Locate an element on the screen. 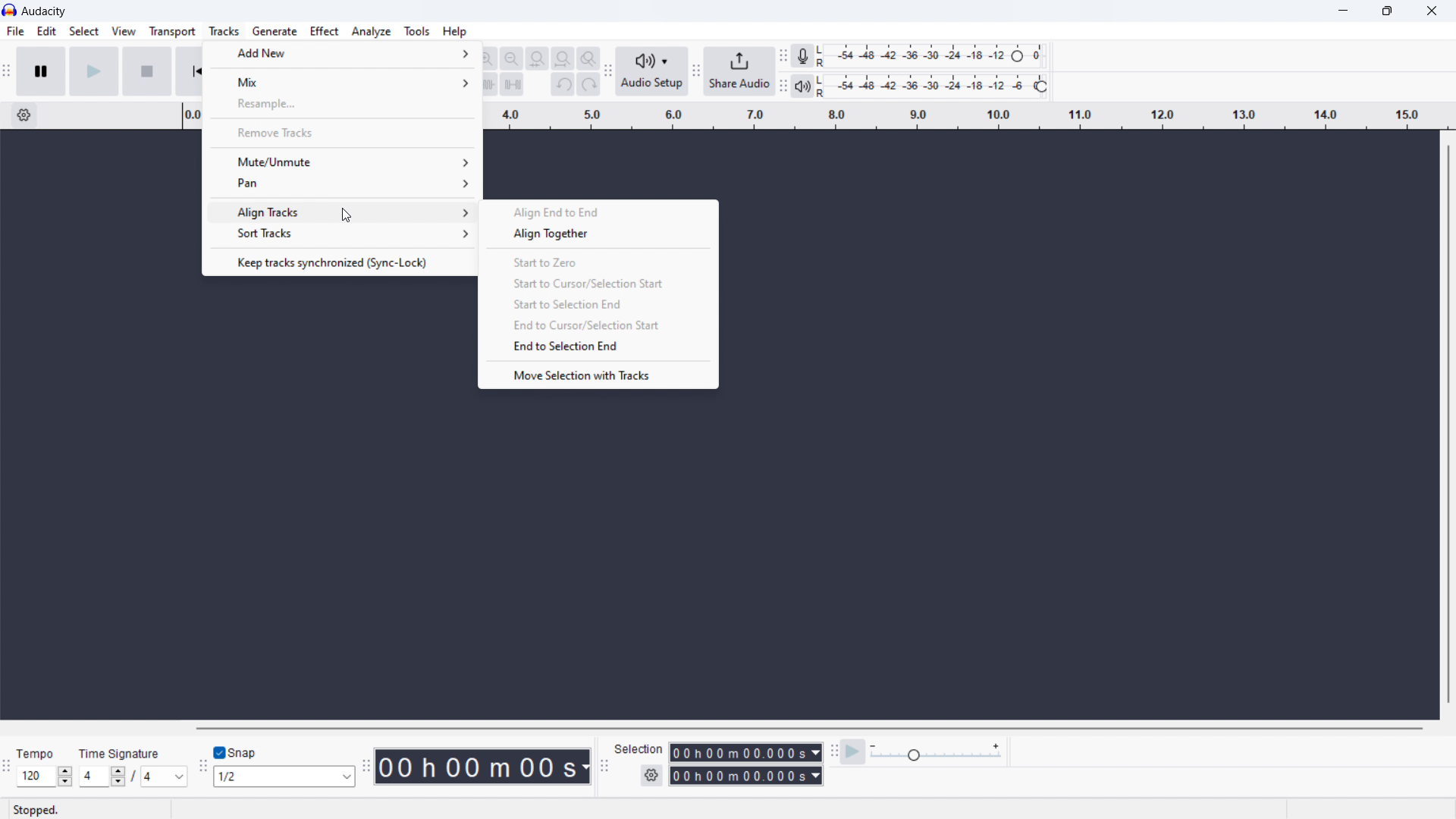  start to selection end is located at coordinates (598, 306).